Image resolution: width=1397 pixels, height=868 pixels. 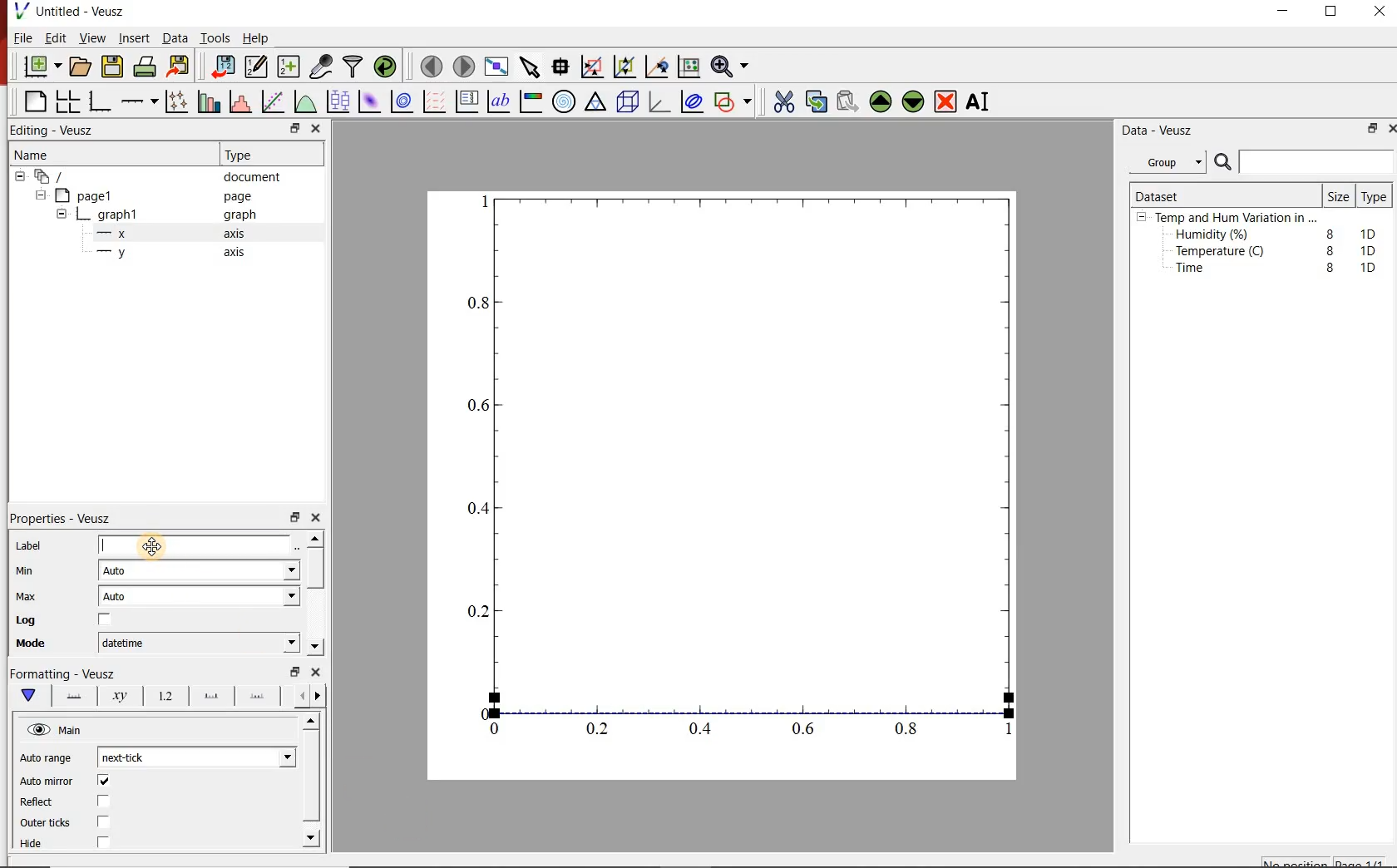 What do you see at coordinates (320, 65) in the screenshot?
I see `capture remote data` at bounding box center [320, 65].